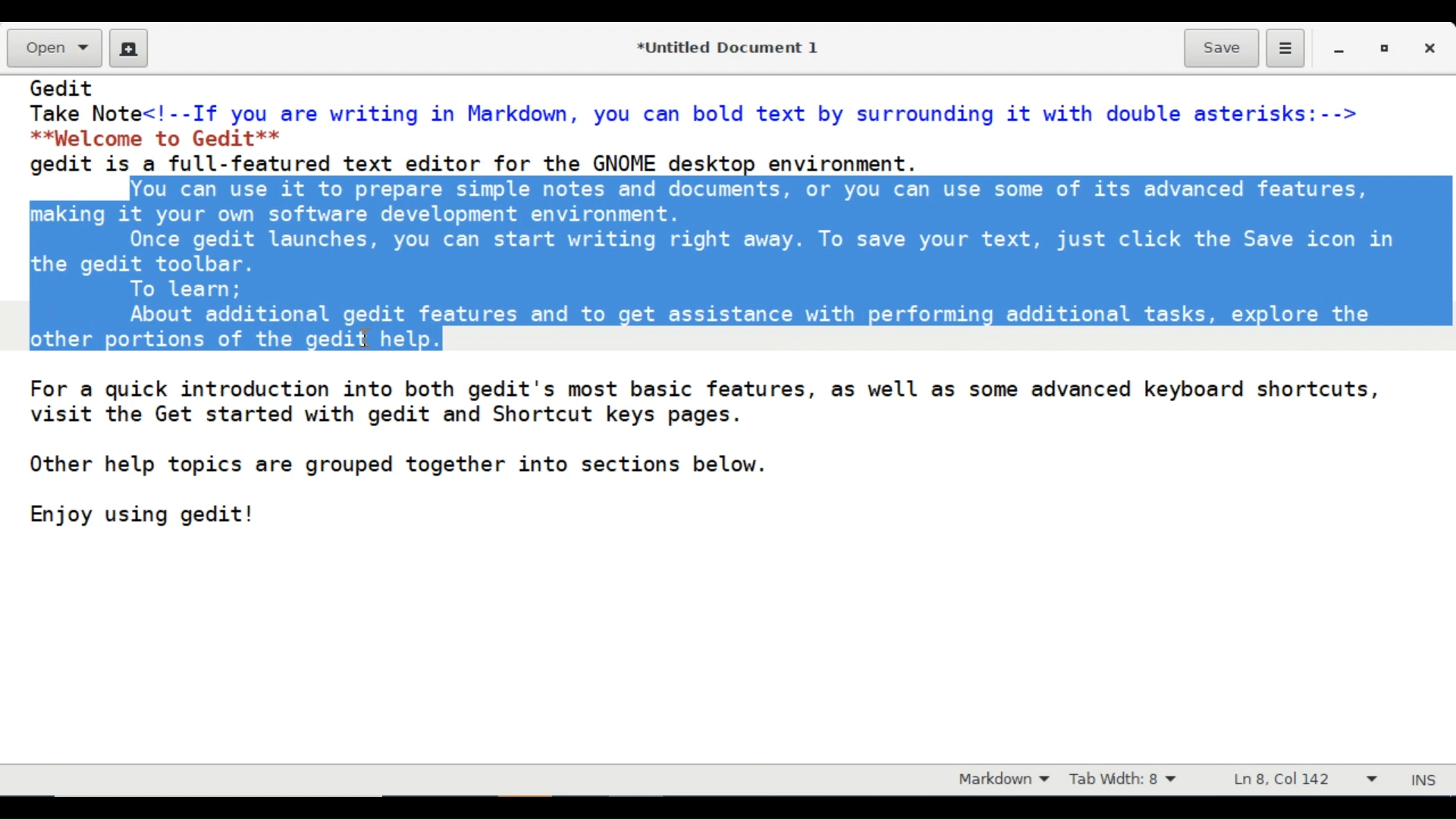 Image resolution: width=1456 pixels, height=819 pixels. Describe the element at coordinates (1426, 777) in the screenshot. I see `Insert Mode` at that location.